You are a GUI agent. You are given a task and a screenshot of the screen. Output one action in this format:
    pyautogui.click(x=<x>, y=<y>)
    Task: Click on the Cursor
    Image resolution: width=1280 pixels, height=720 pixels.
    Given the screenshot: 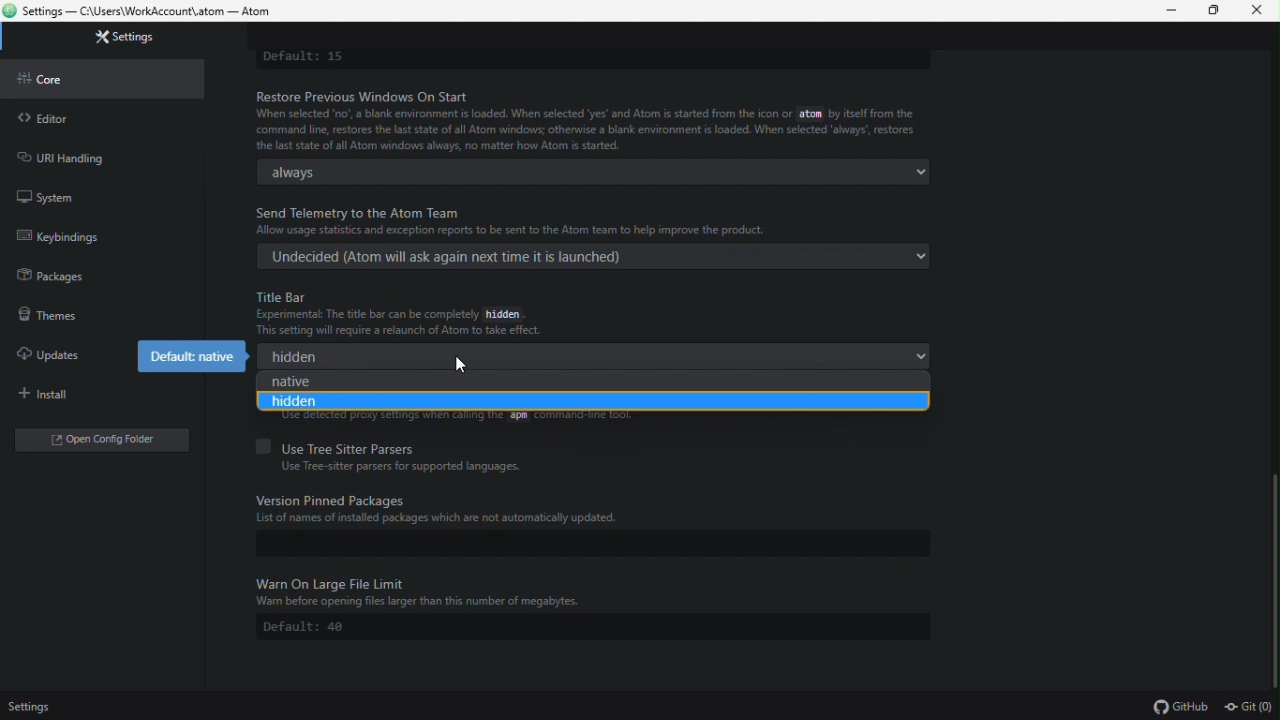 What is the action you would take?
    pyautogui.click(x=460, y=366)
    